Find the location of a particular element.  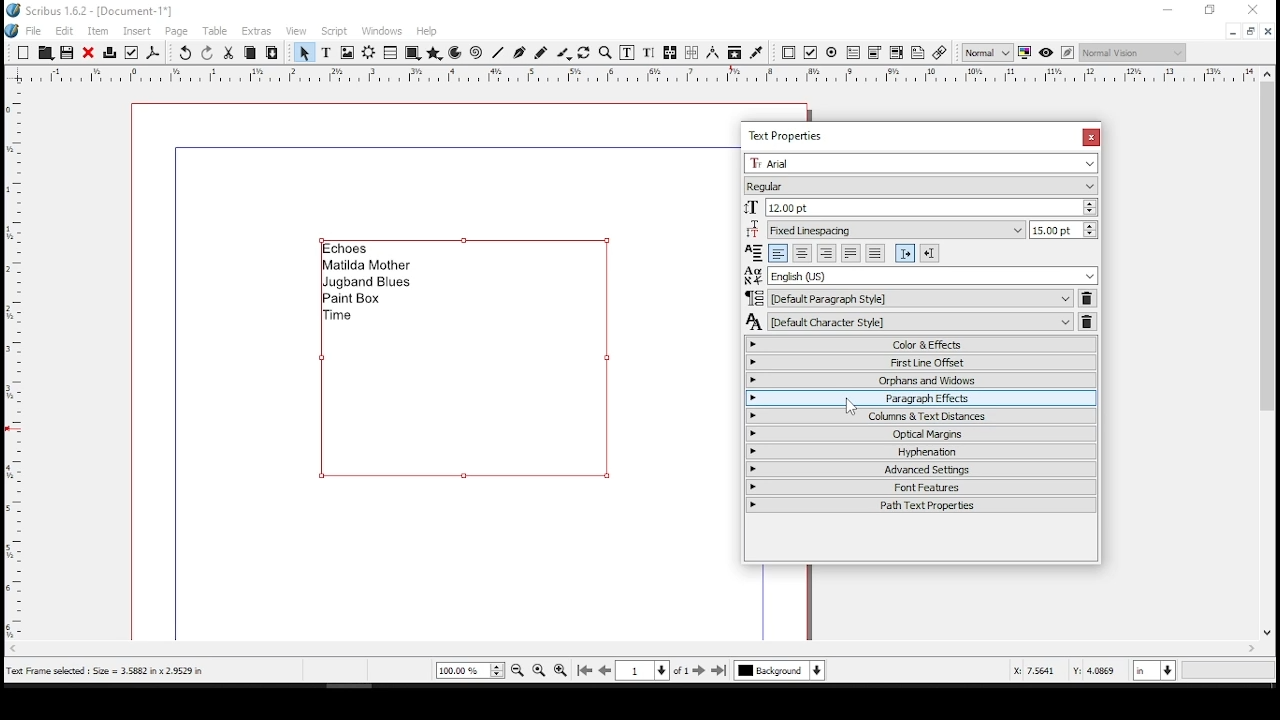

font size is located at coordinates (922, 207).